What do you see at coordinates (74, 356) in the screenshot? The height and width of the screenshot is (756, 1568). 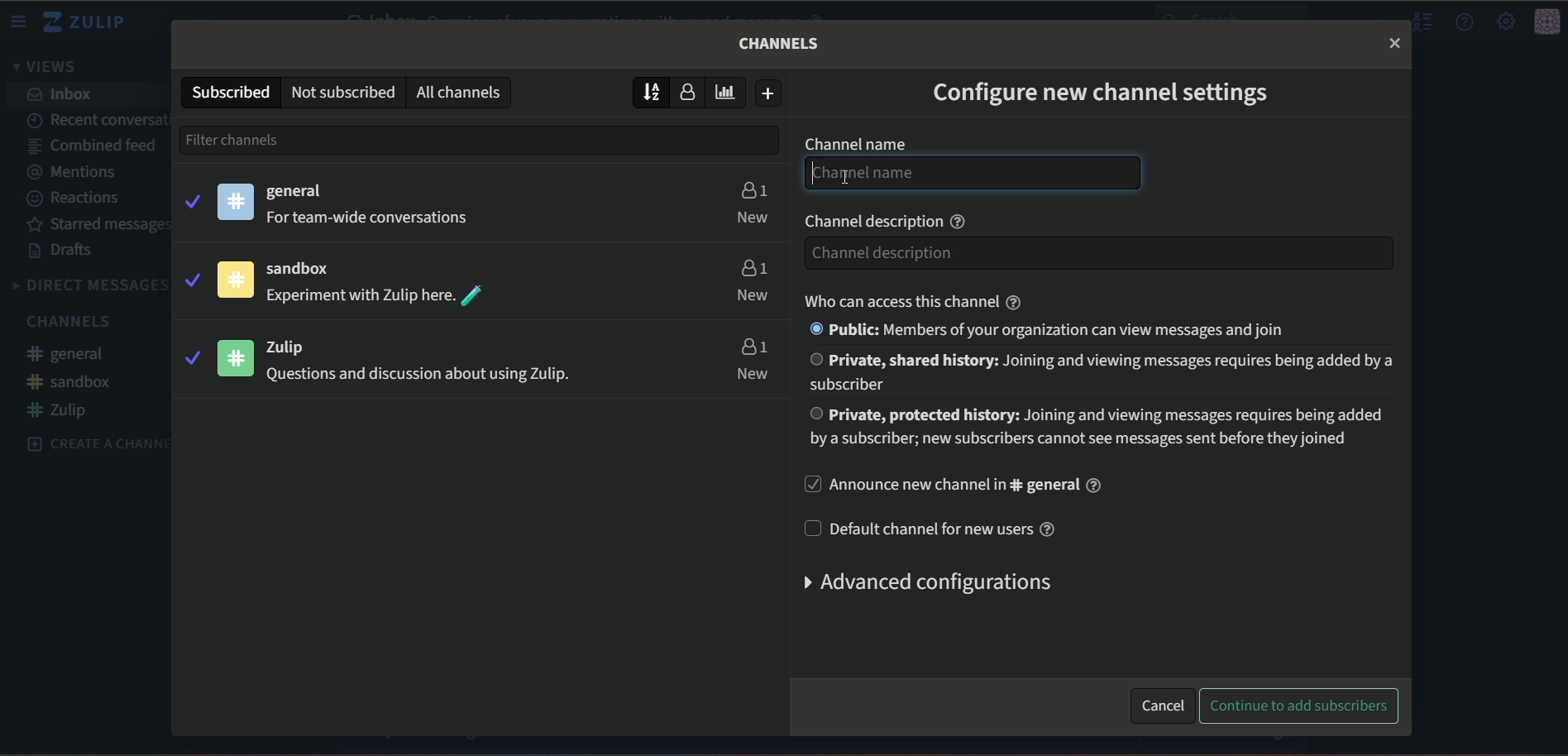 I see `#general` at bounding box center [74, 356].